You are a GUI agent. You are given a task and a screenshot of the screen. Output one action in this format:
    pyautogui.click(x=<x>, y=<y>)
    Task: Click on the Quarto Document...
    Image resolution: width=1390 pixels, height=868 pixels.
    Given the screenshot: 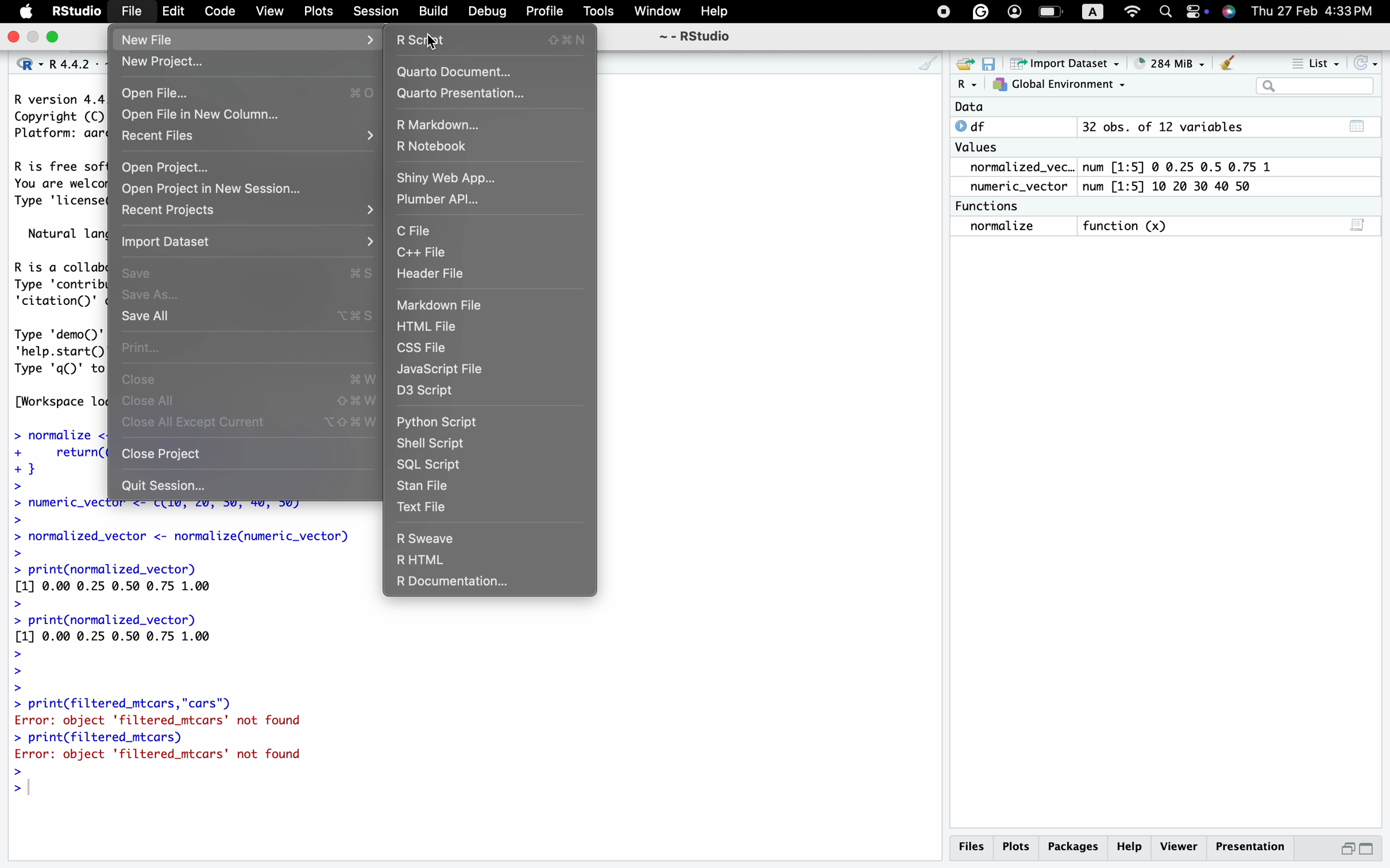 What is the action you would take?
    pyautogui.click(x=455, y=72)
    